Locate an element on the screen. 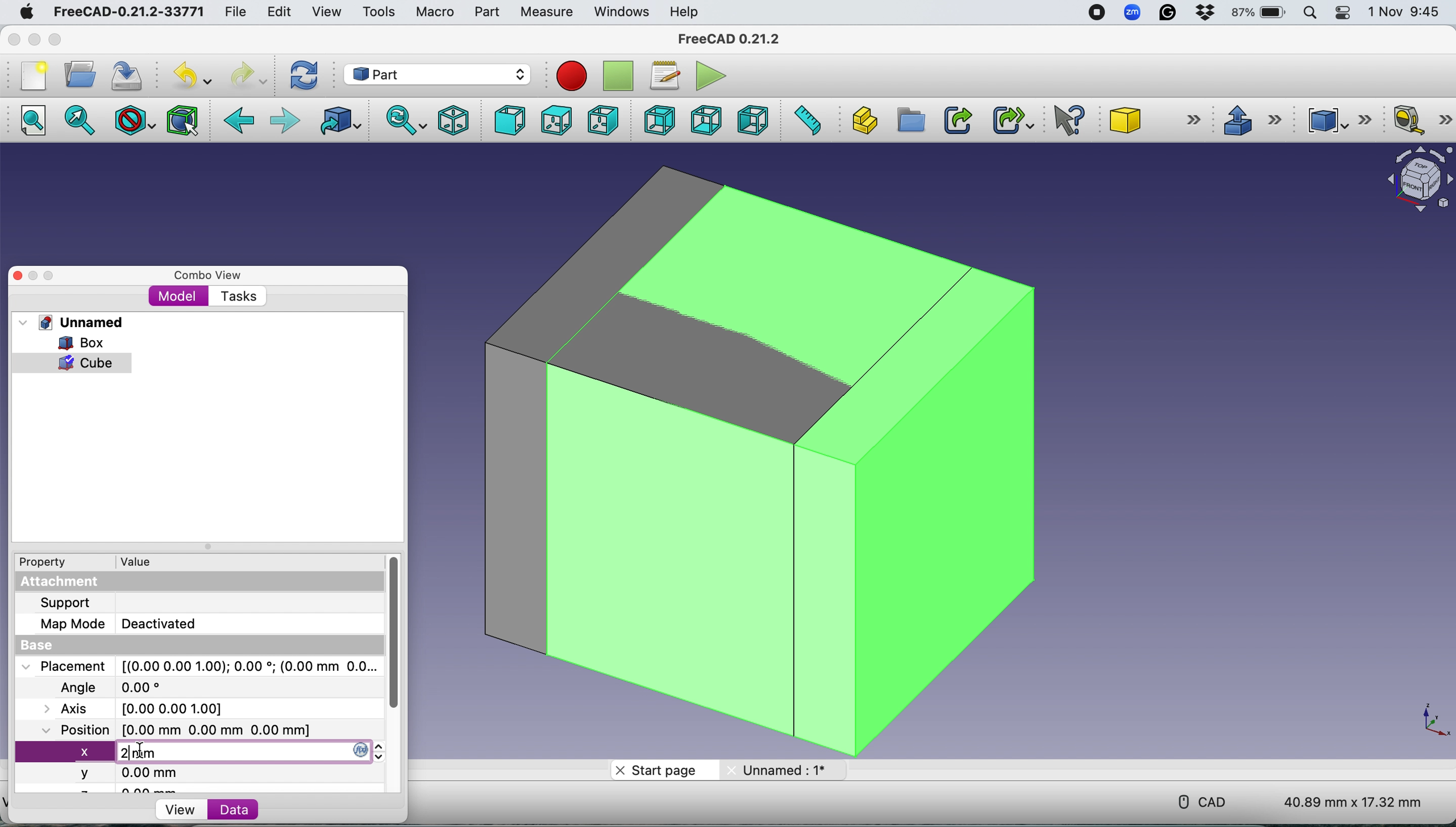 The height and width of the screenshot is (827, 1456). Object interface is located at coordinates (1414, 181).